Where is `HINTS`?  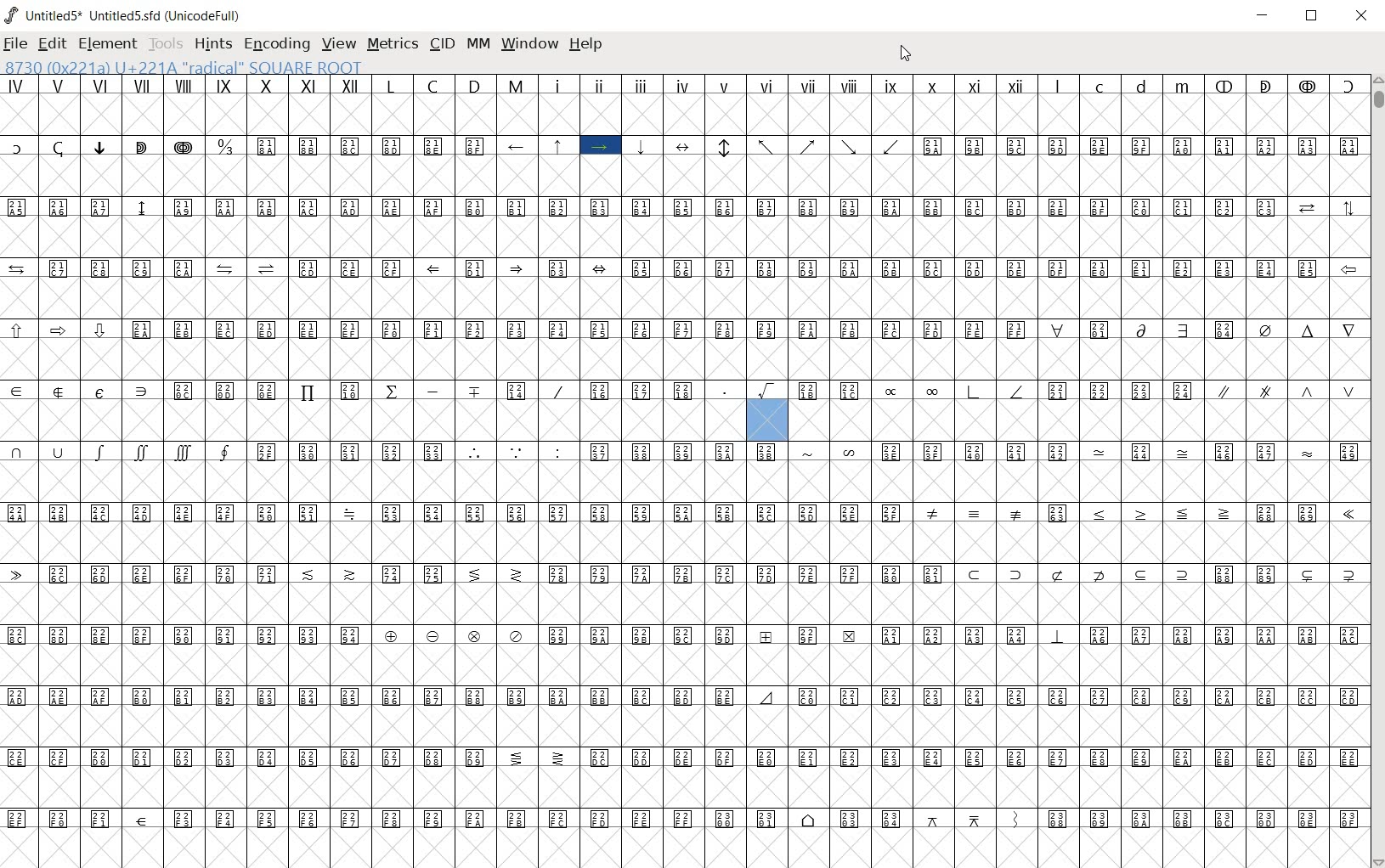
HINTS is located at coordinates (212, 45).